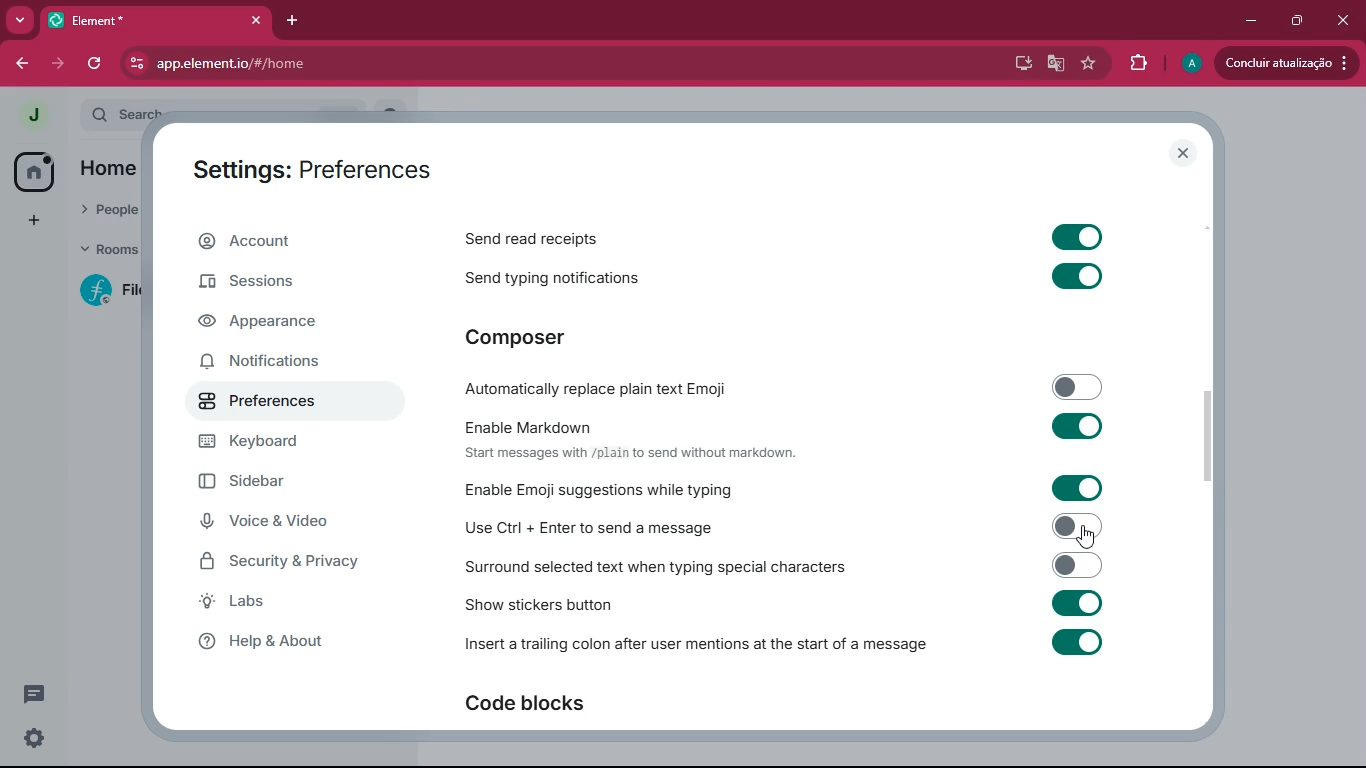  I want to click on text, so click(629, 453).